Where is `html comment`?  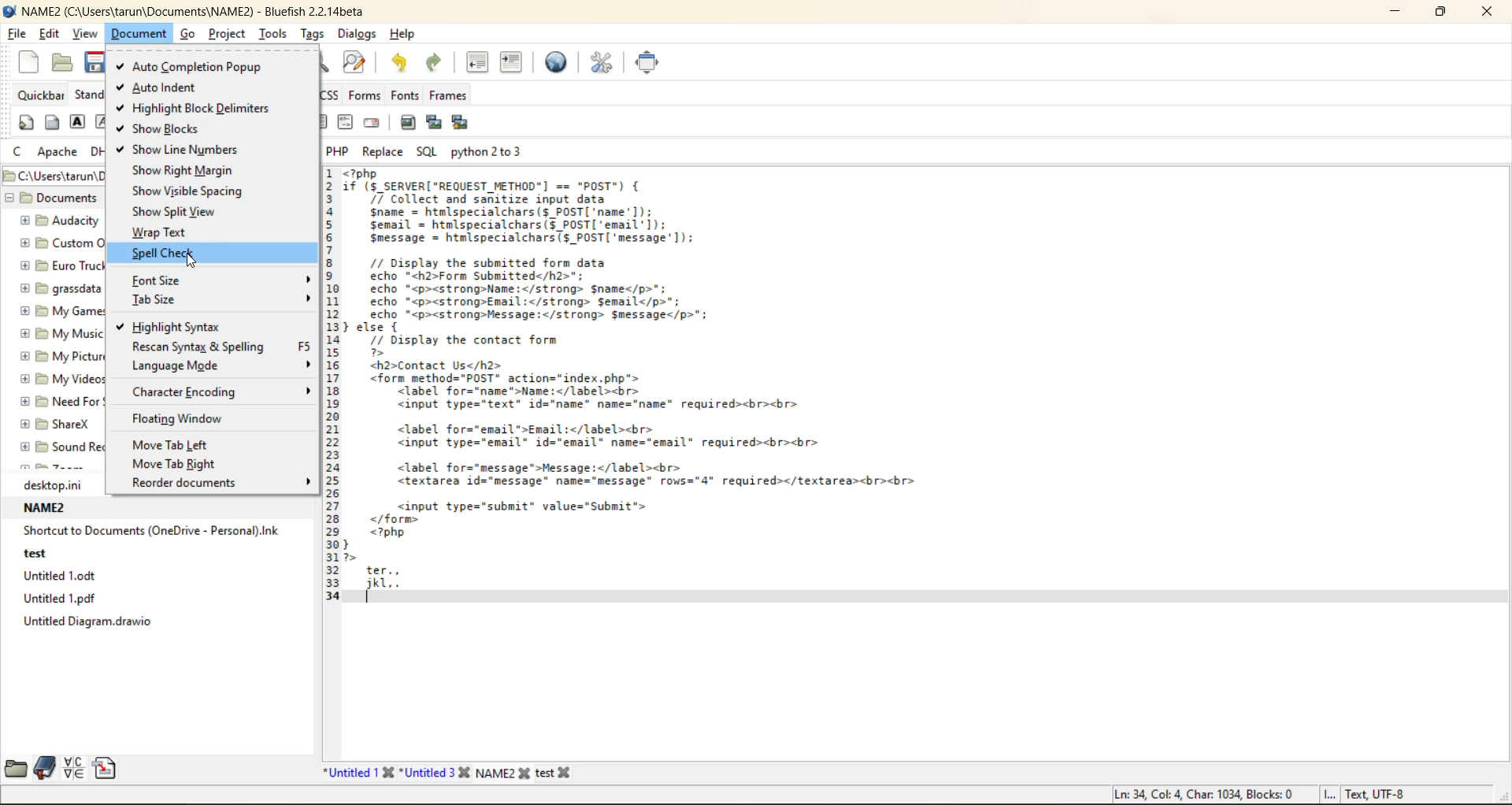
html comment is located at coordinates (346, 121).